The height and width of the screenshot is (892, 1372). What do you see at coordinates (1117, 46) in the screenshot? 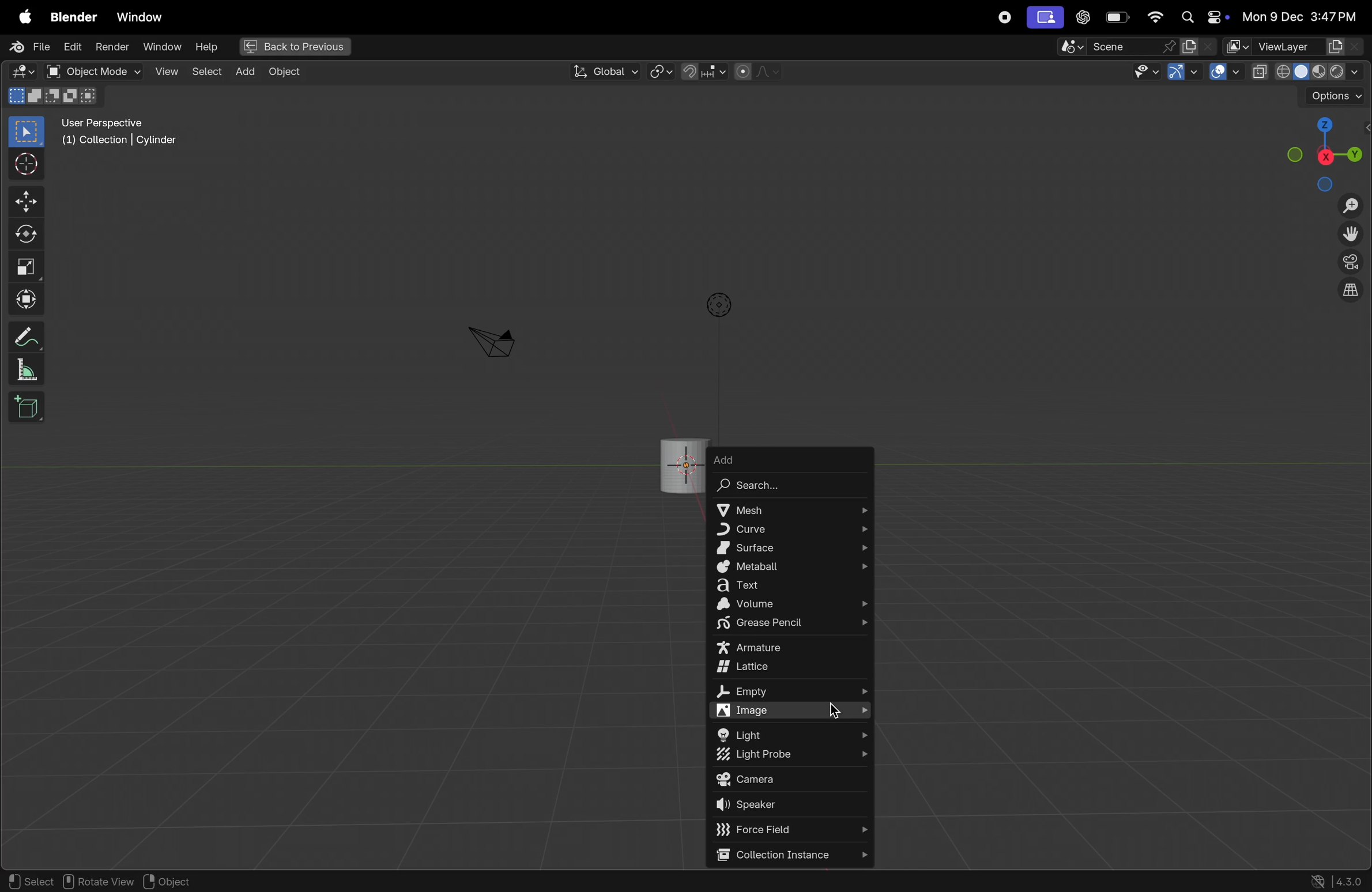
I see `score` at bounding box center [1117, 46].